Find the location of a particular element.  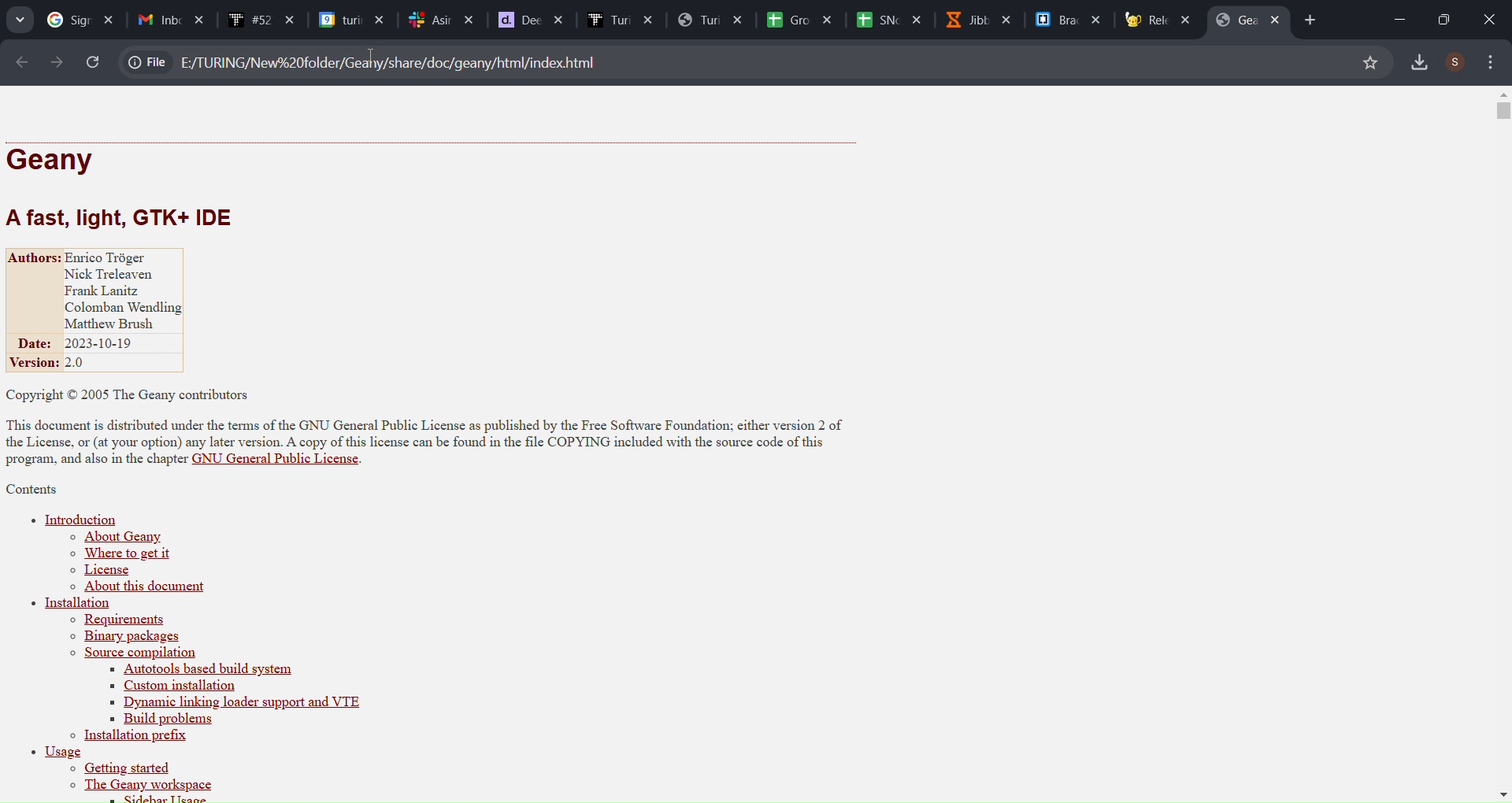

file is located at coordinates (150, 60).